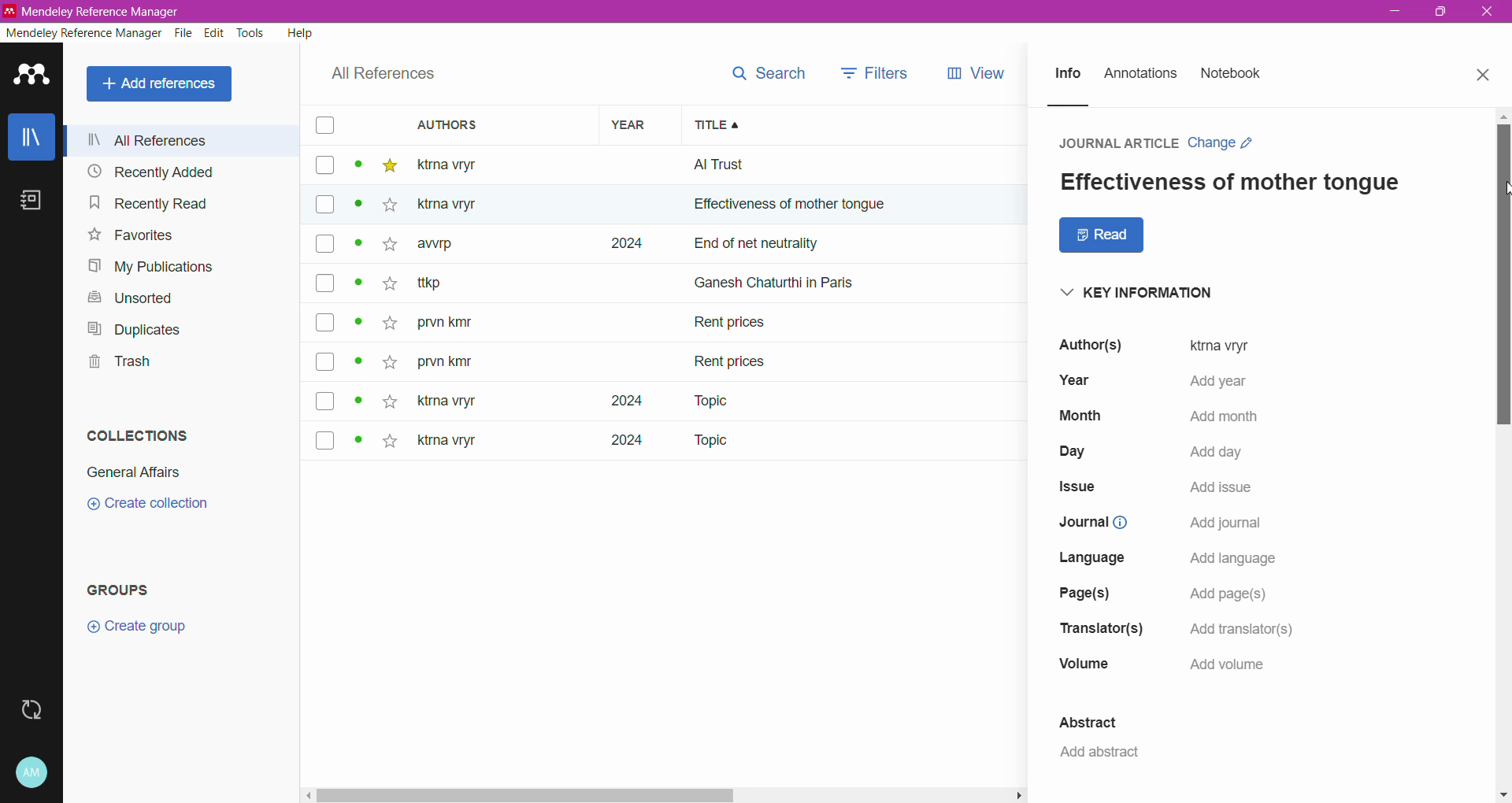 Image resolution: width=1512 pixels, height=803 pixels. What do you see at coordinates (135, 329) in the screenshot?
I see `Duplicates` at bounding box center [135, 329].